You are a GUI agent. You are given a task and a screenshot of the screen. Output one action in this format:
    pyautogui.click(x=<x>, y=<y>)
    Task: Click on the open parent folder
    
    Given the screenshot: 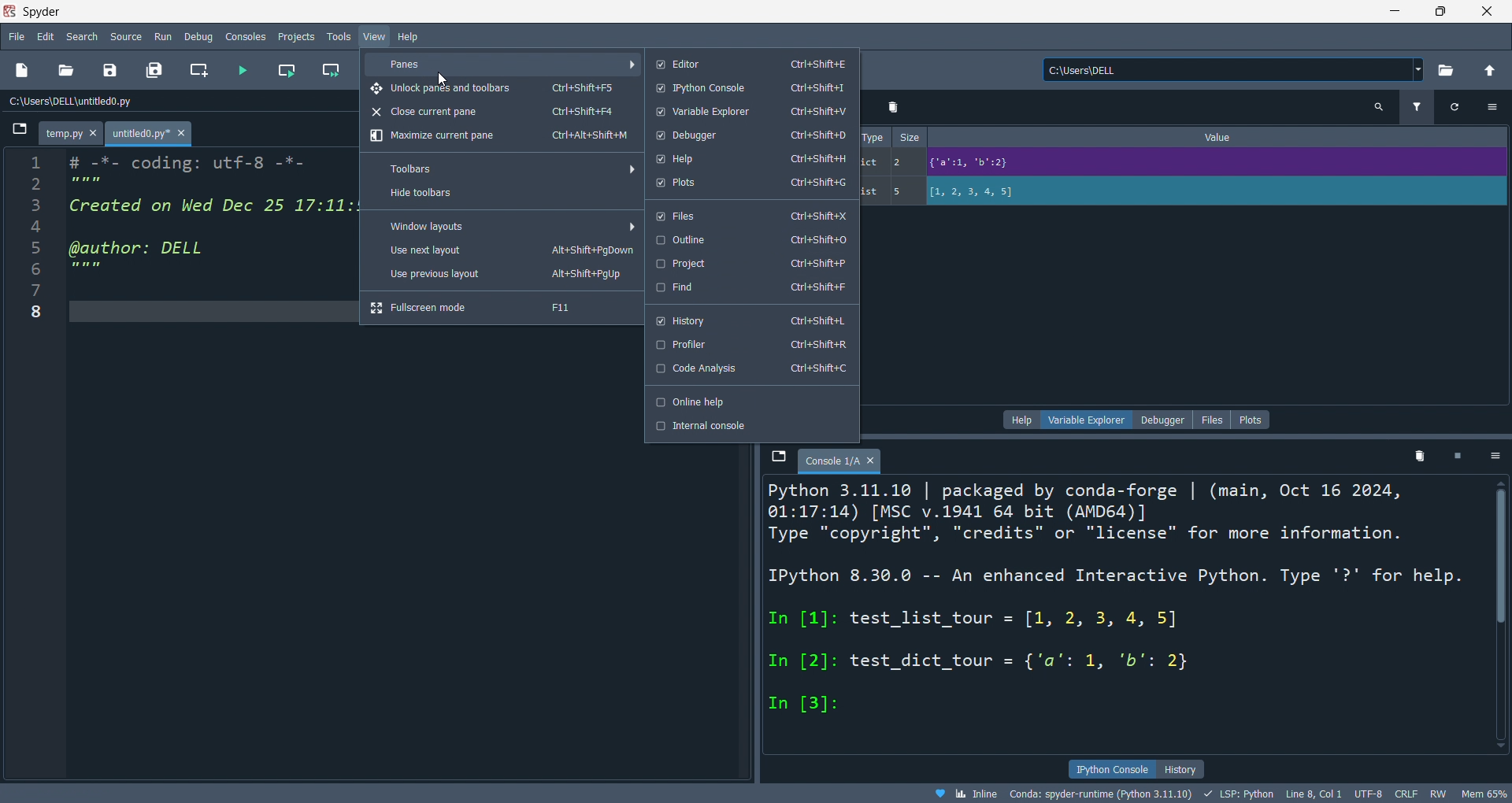 What is the action you would take?
    pyautogui.click(x=1488, y=68)
    